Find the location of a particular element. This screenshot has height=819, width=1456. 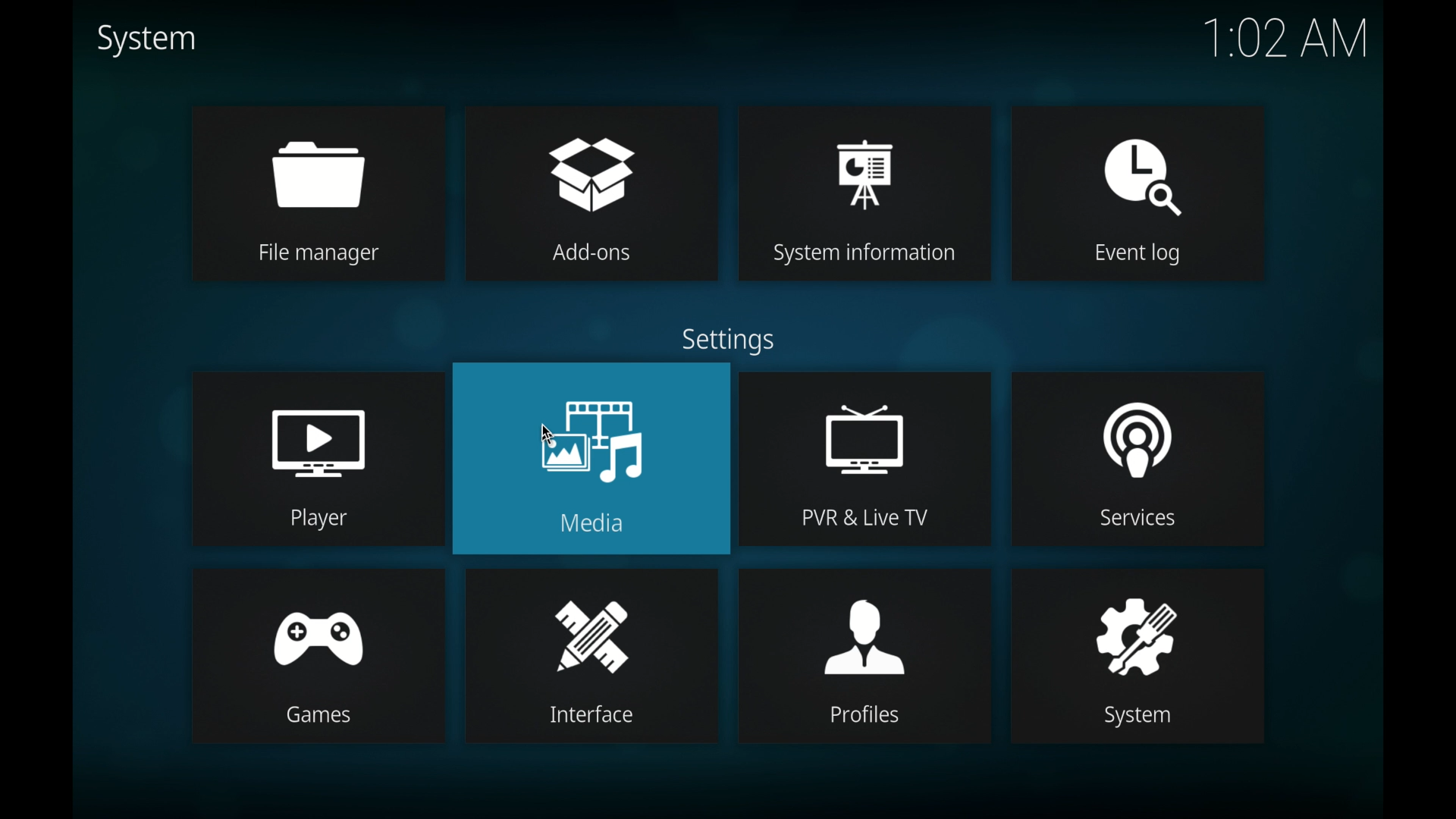

services is located at coordinates (1137, 426).